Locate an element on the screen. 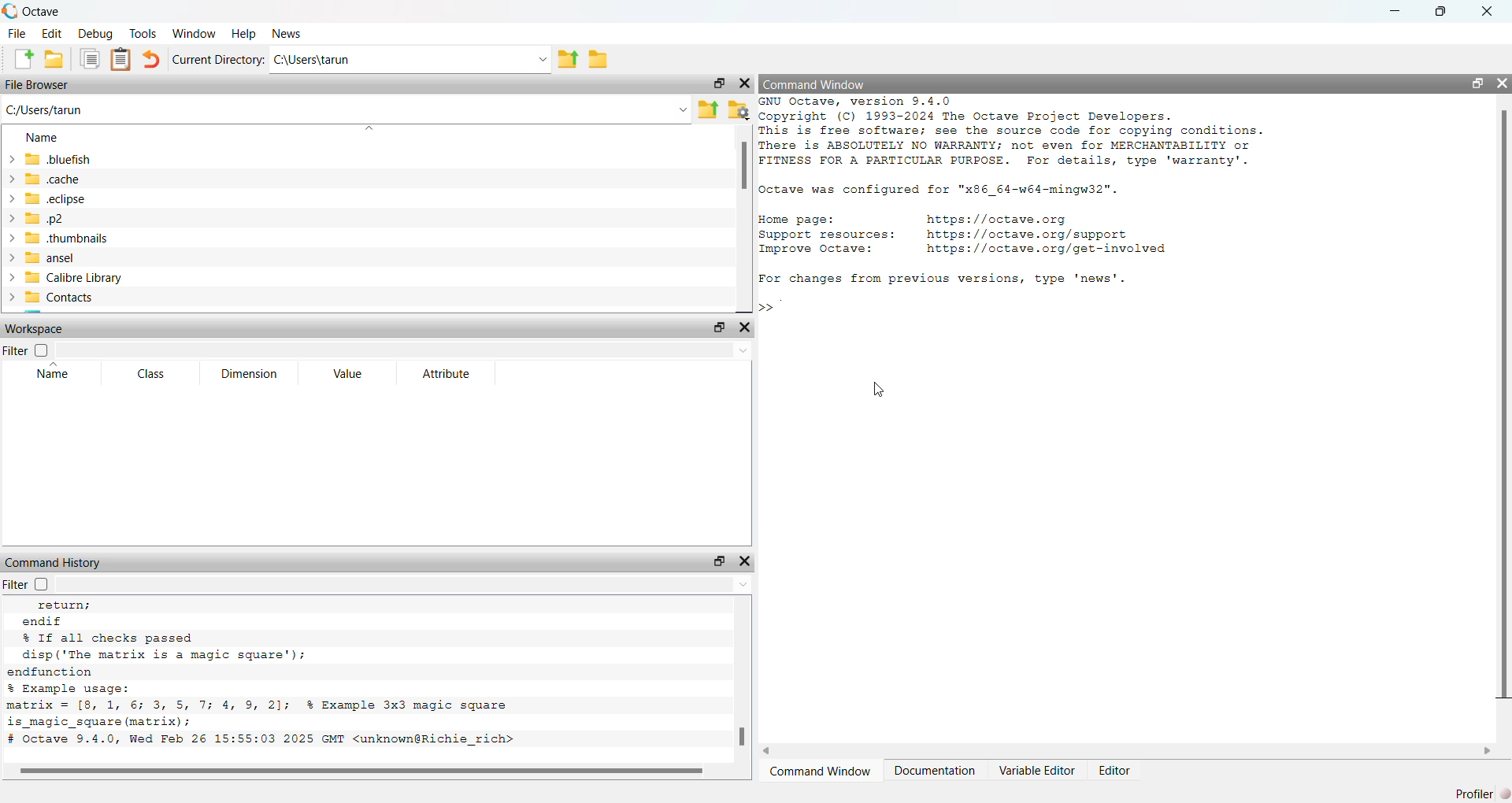 This screenshot has height=803, width=1512. Value is located at coordinates (346, 375).